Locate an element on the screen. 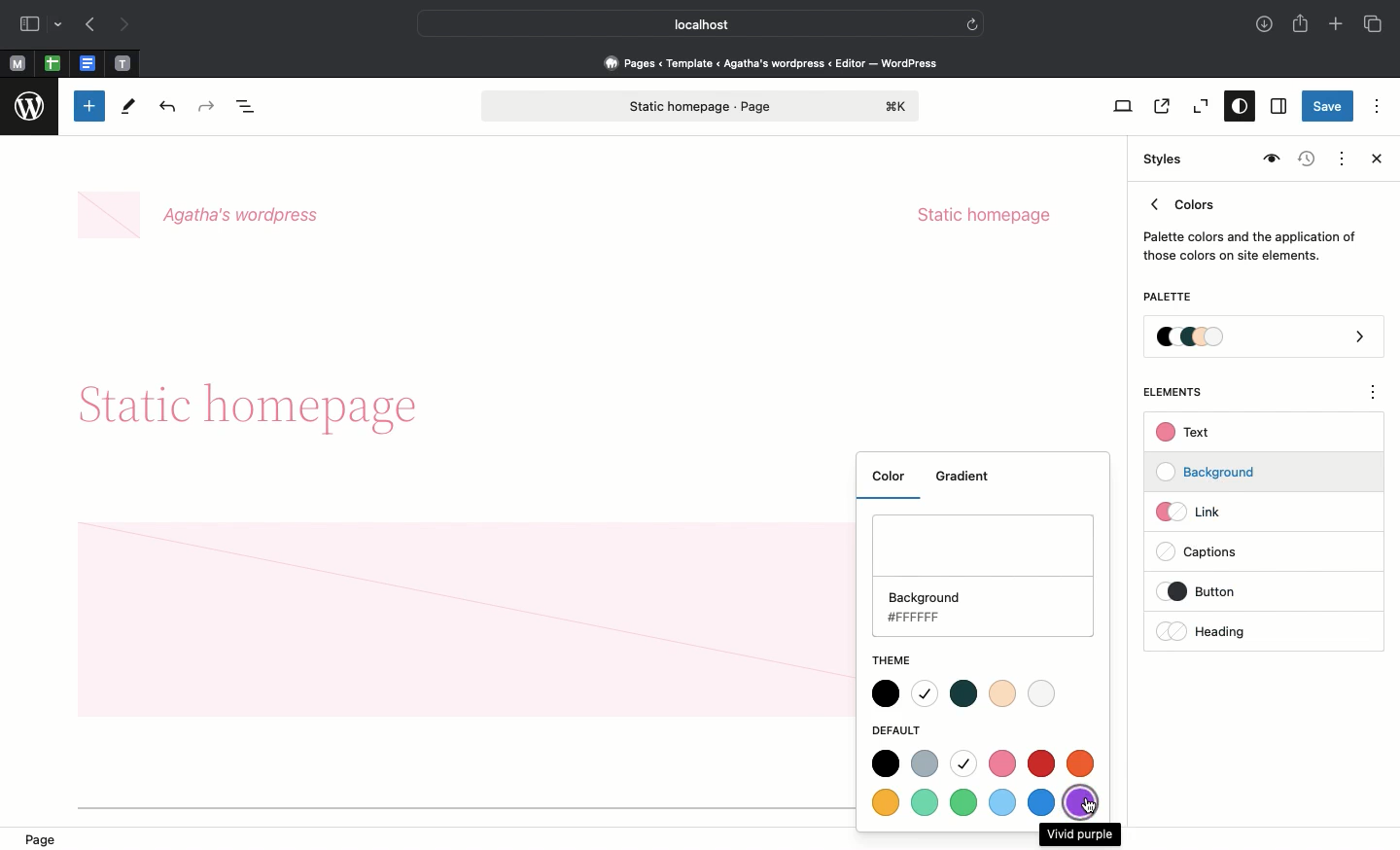  Color is located at coordinates (893, 482).